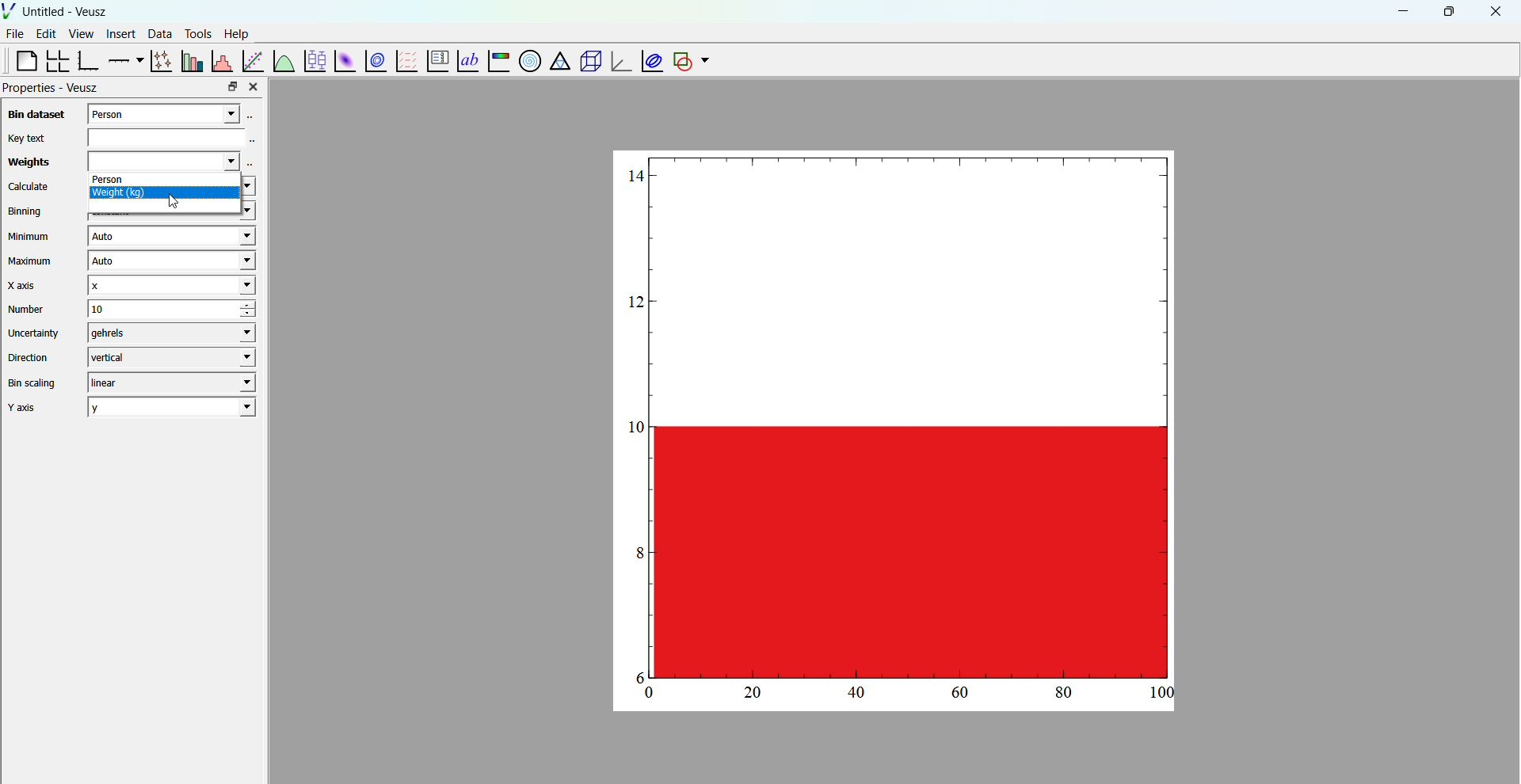  Describe the element at coordinates (52, 88) in the screenshot. I see `Properties - Veusz` at that location.